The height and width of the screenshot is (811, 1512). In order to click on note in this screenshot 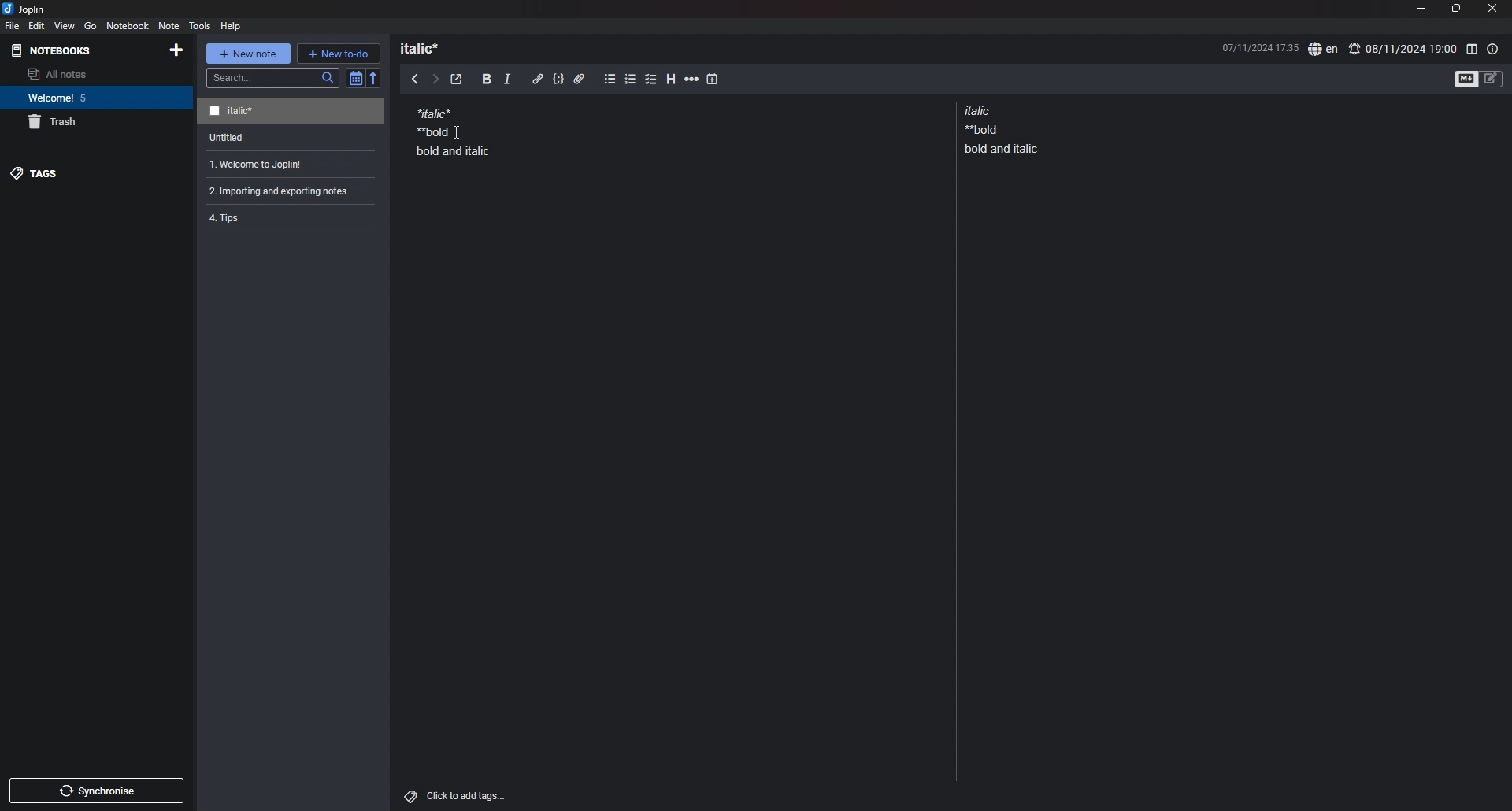, I will do `click(1005, 129)`.